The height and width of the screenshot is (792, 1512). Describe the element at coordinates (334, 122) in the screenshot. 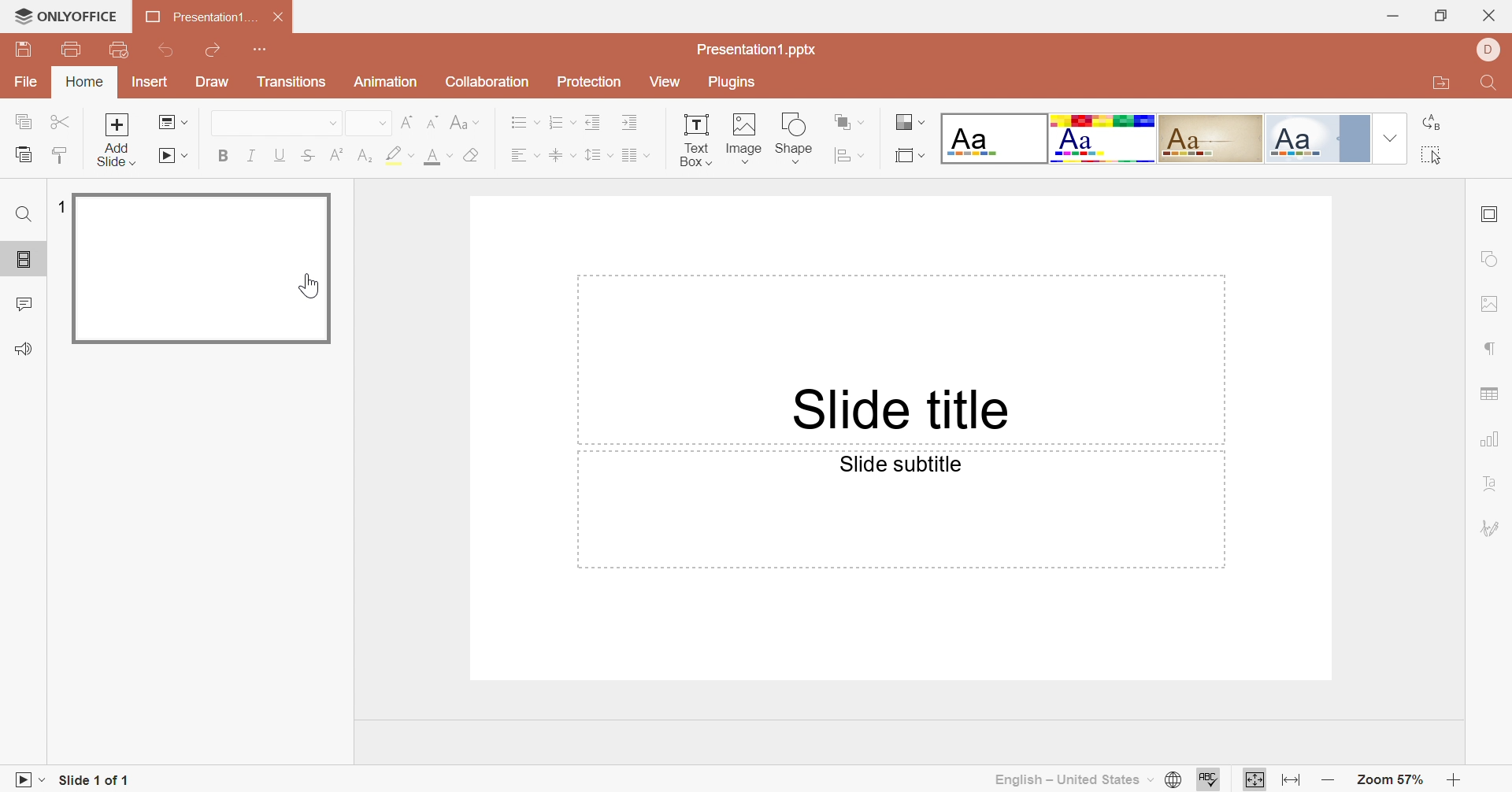

I see `Drop Down` at that location.